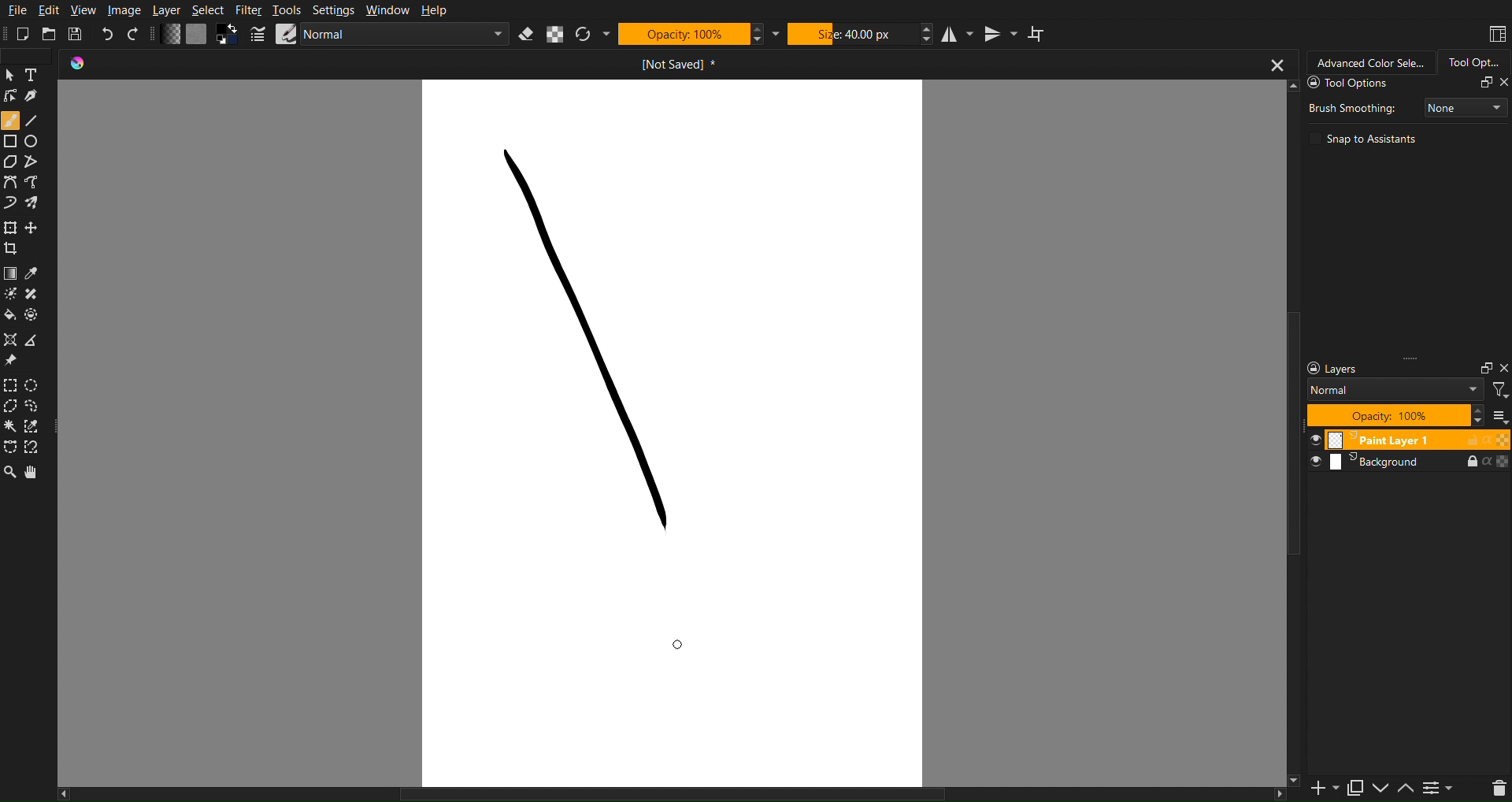 The width and height of the screenshot is (1512, 802). I want to click on Color Settings, so click(199, 35).